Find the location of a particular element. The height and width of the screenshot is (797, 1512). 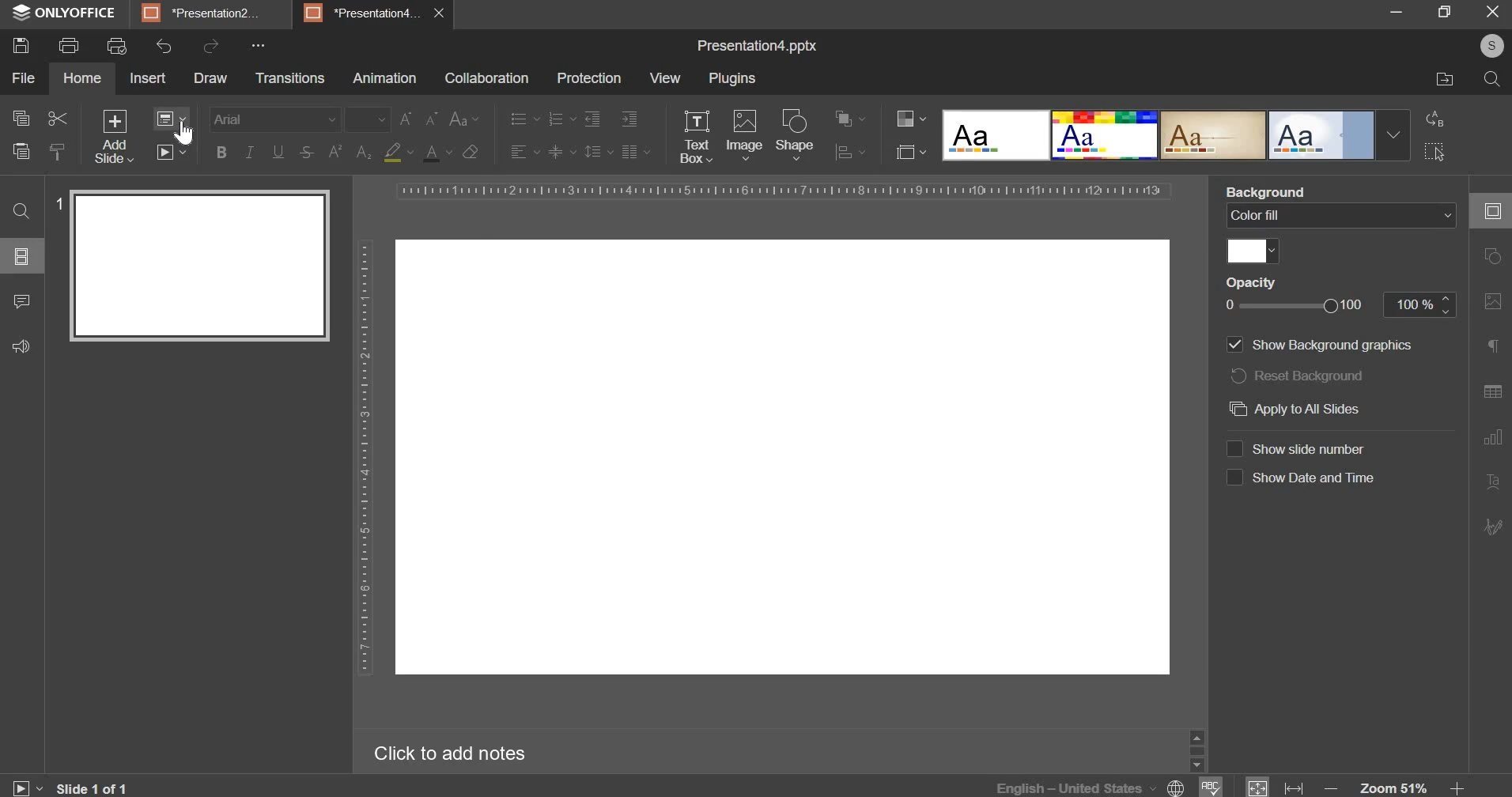

slide preview is located at coordinates (199, 266).